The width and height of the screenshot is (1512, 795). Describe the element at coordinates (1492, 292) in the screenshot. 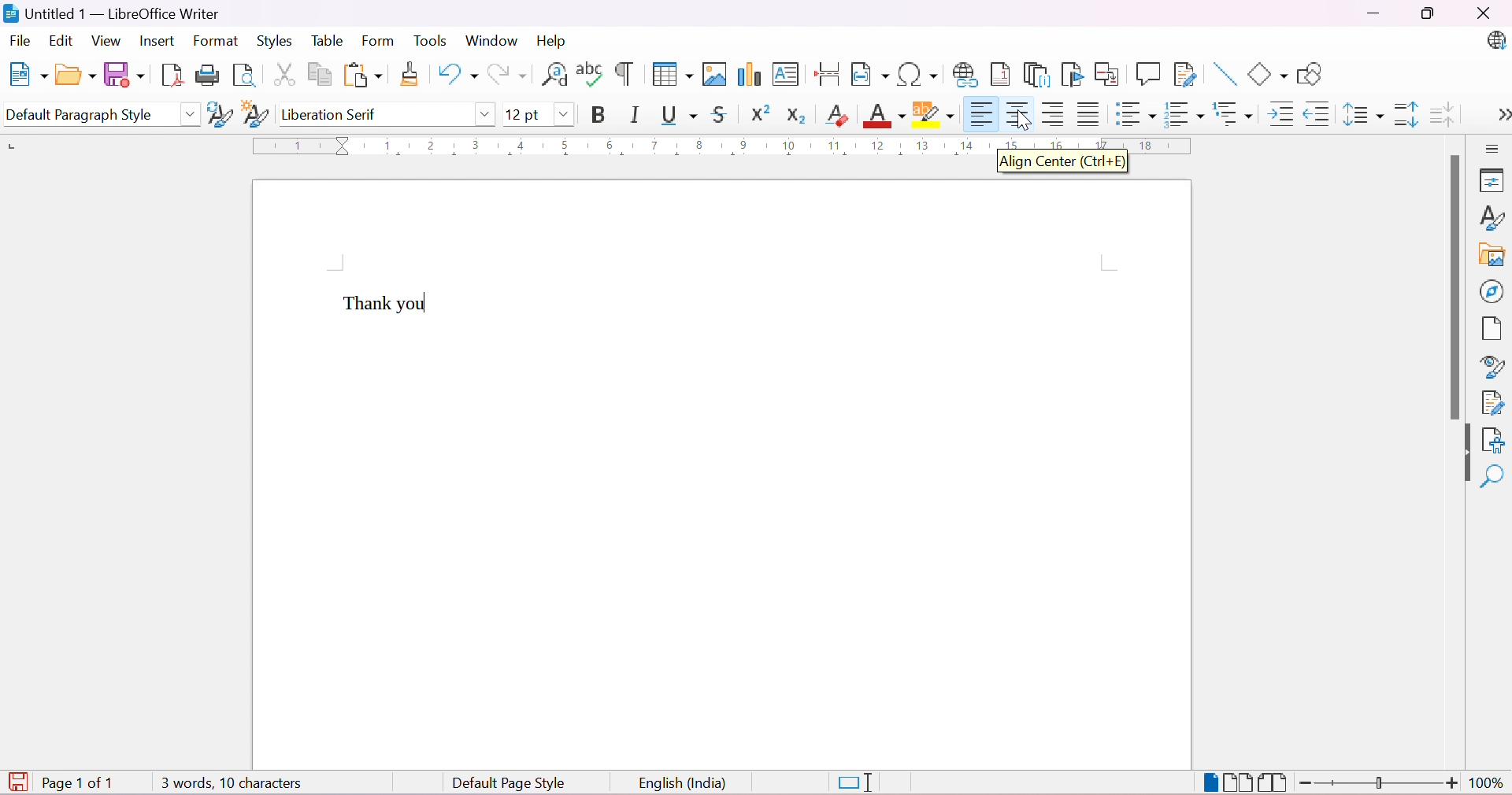

I see `Navigator` at that location.